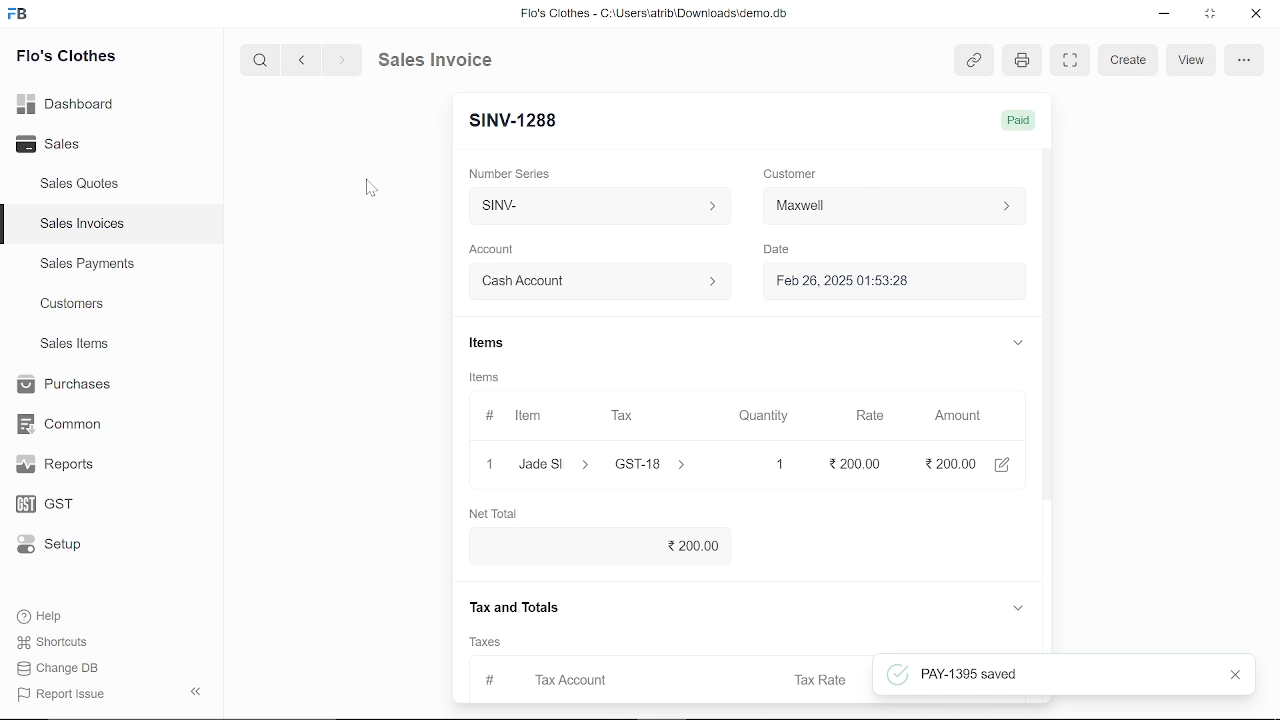  Describe the element at coordinates (485, 345) in the screenshot. I see `Items` at that location.